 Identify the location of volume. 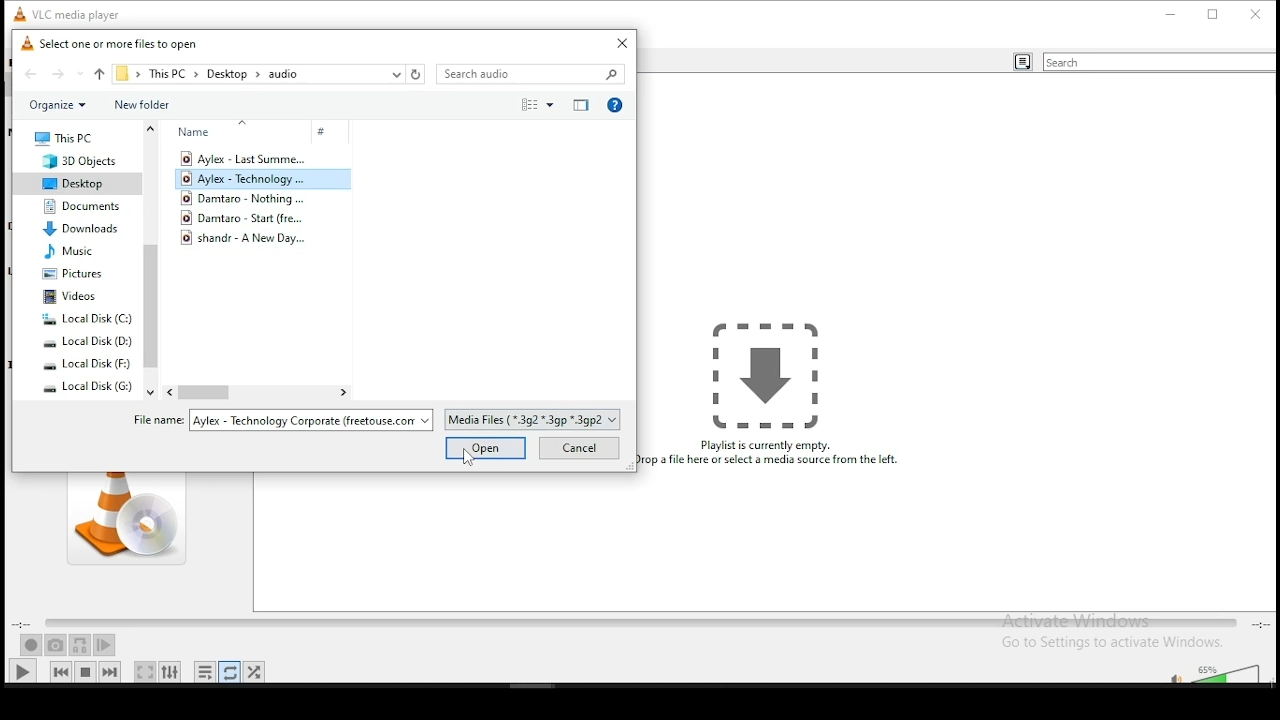
(1230, 673).